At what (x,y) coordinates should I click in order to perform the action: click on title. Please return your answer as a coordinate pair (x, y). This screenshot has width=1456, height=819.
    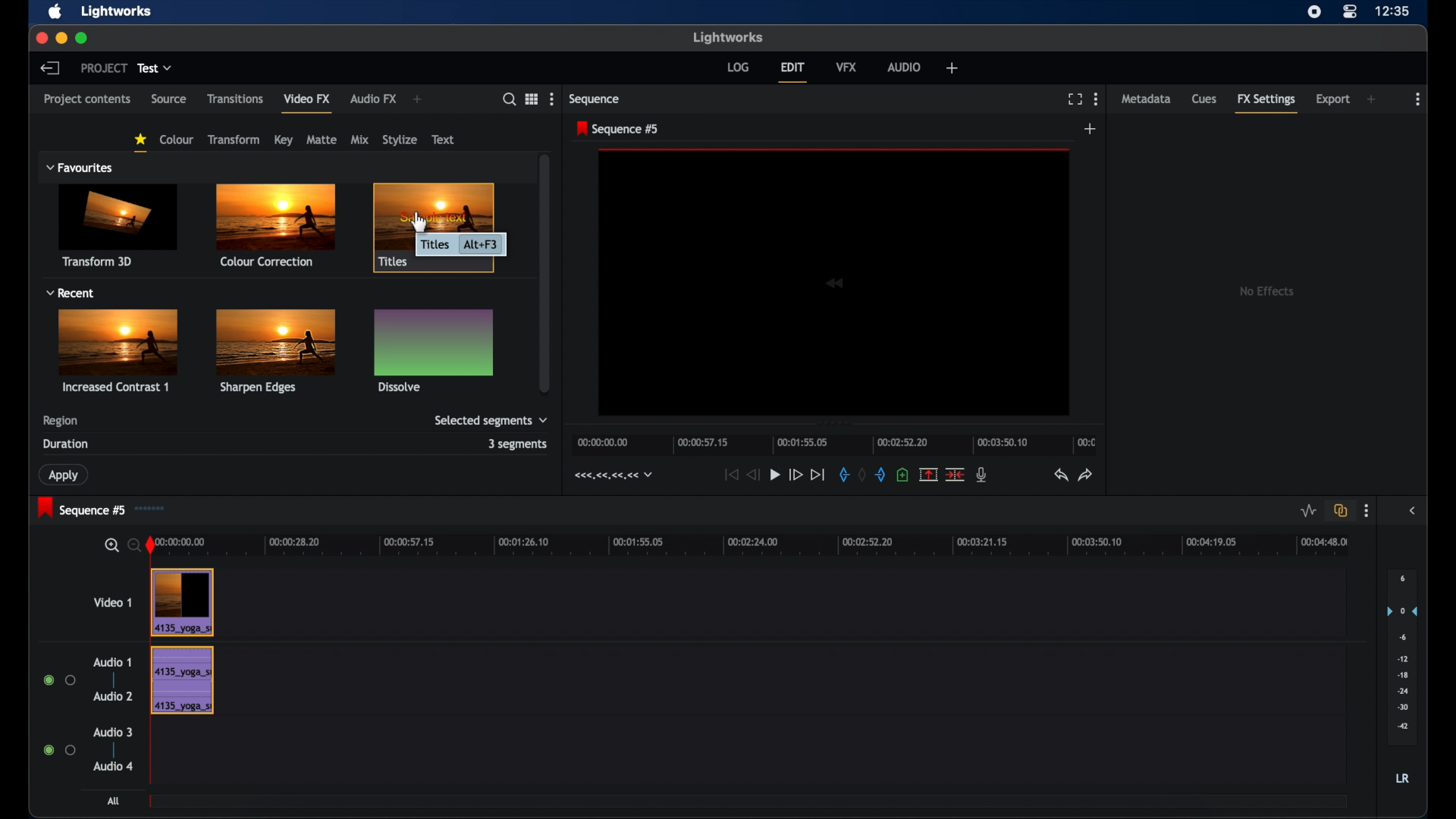
    Looking at the image, I should click on (438, 229).